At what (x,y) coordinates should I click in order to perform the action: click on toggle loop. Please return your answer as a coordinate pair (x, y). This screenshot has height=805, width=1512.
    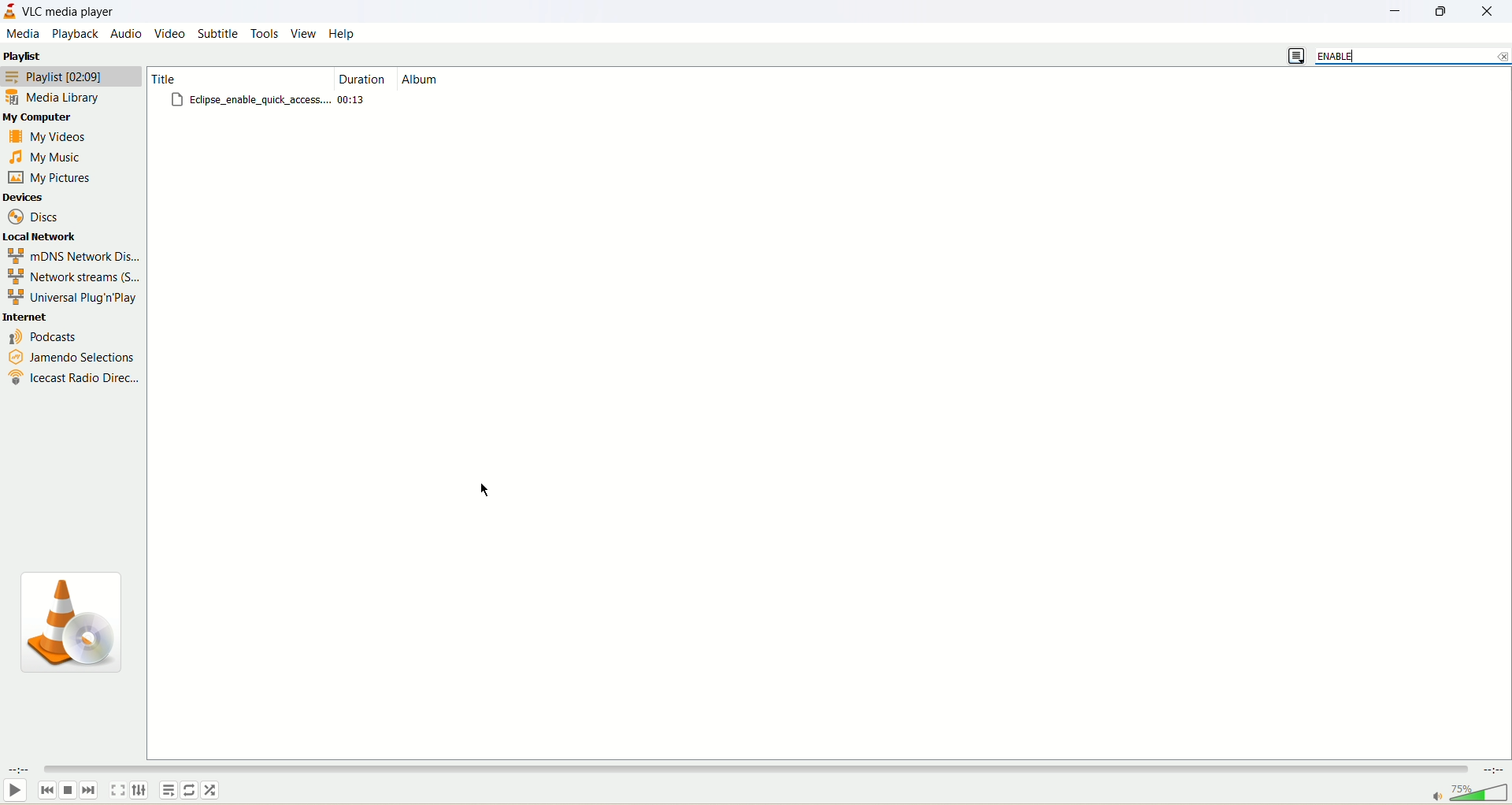
    Looking at the image, I should click on (191, 789).